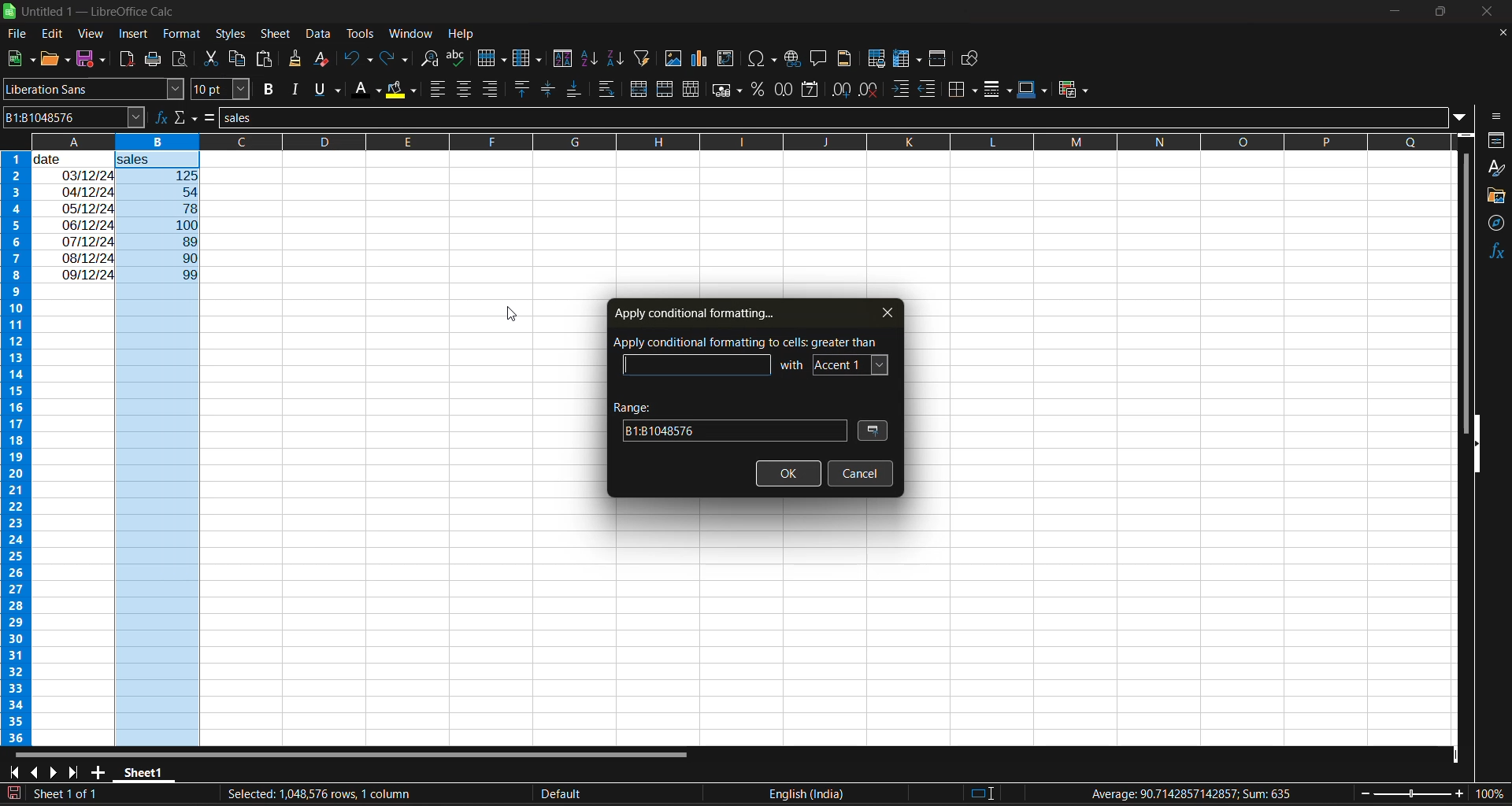 The height and width of the screenshot is (806, 1512). Describe the element at coordinates (358, 61) in the screenshot. I see `undo` at that location.